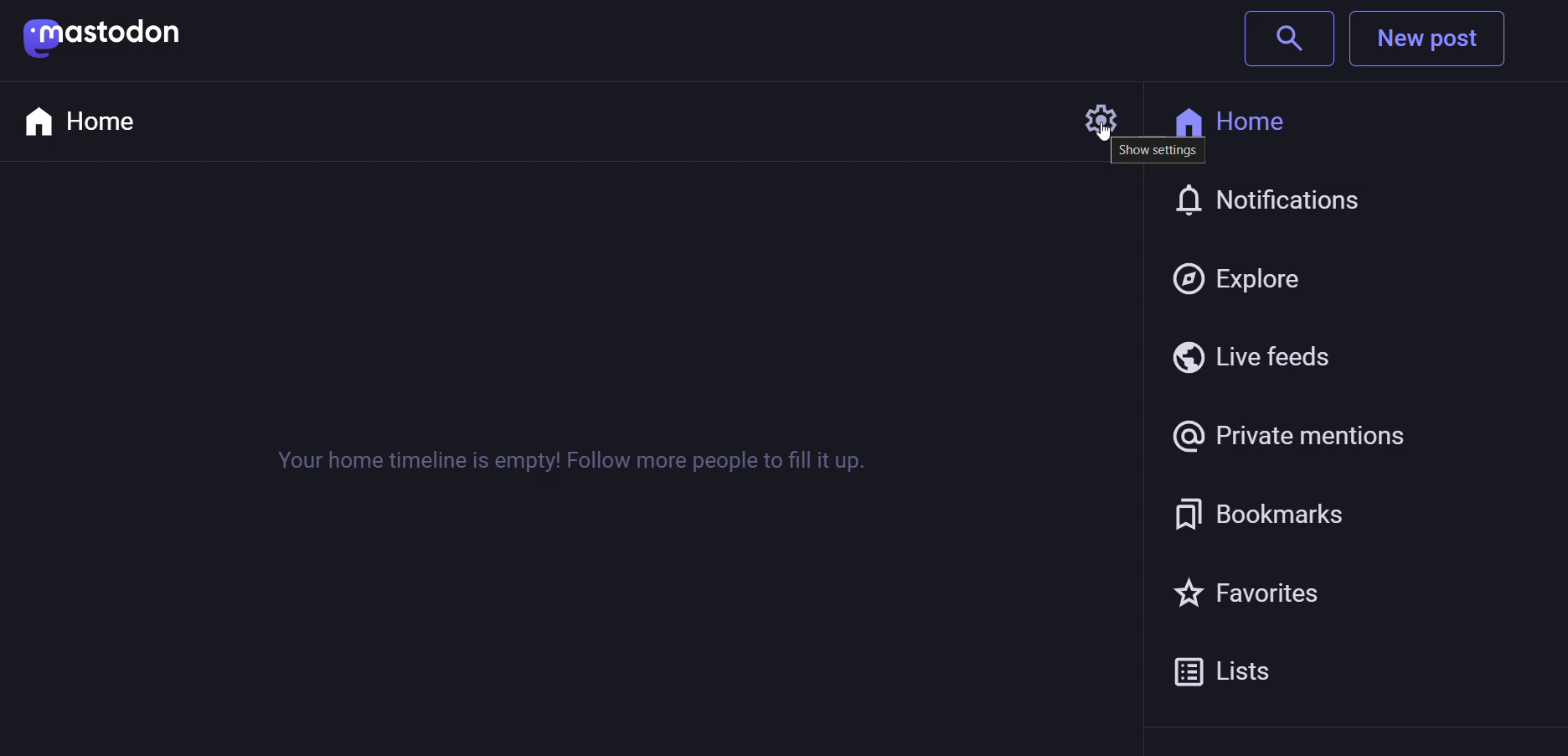 Image resolution: width=1568 pixels, height=756 pixels. I want to click on Settings, so click(1096, 107).